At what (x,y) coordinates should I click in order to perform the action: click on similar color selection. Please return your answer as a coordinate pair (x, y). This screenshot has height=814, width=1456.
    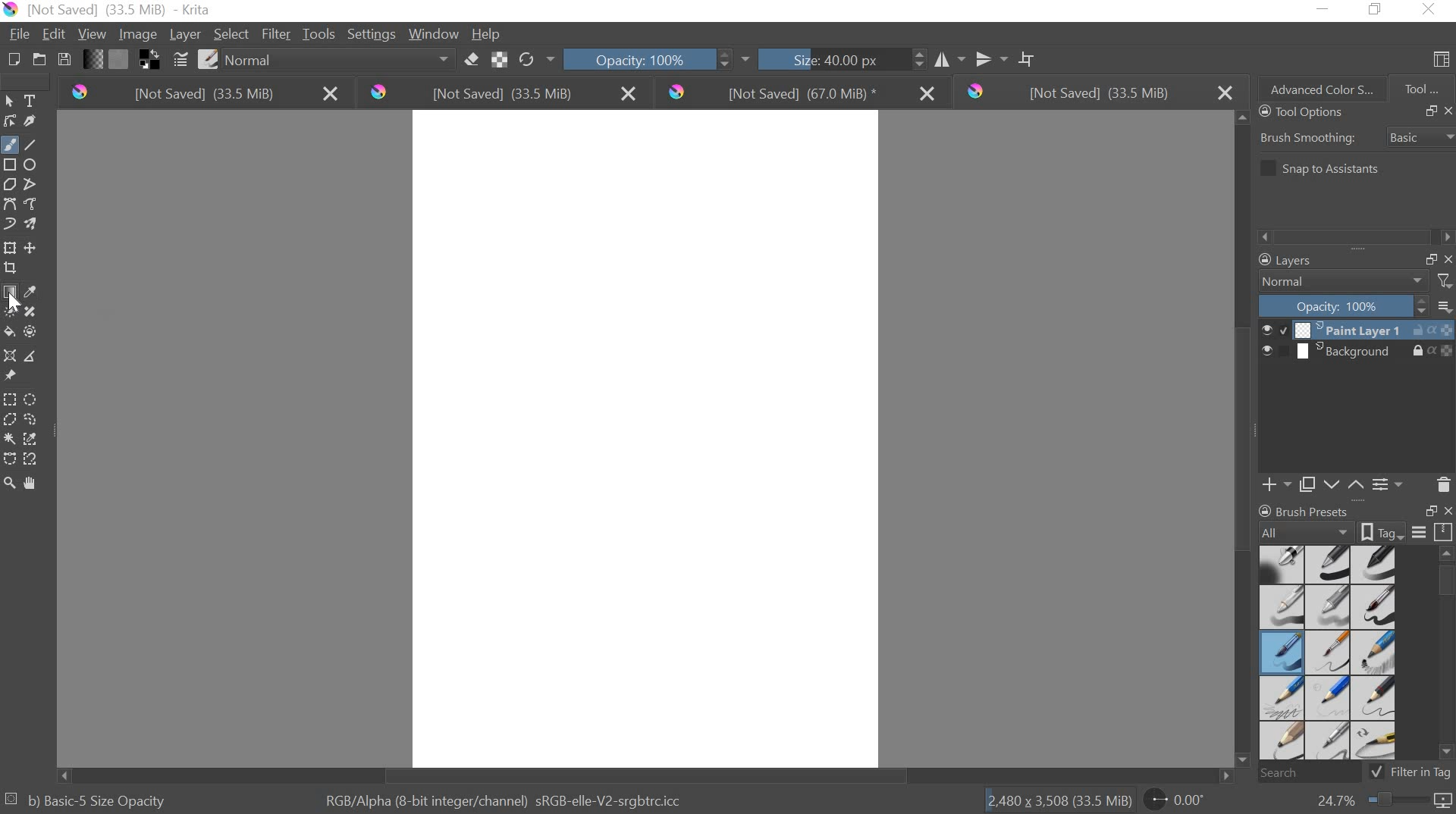
    Looking at the image, I should click on (33, 439).